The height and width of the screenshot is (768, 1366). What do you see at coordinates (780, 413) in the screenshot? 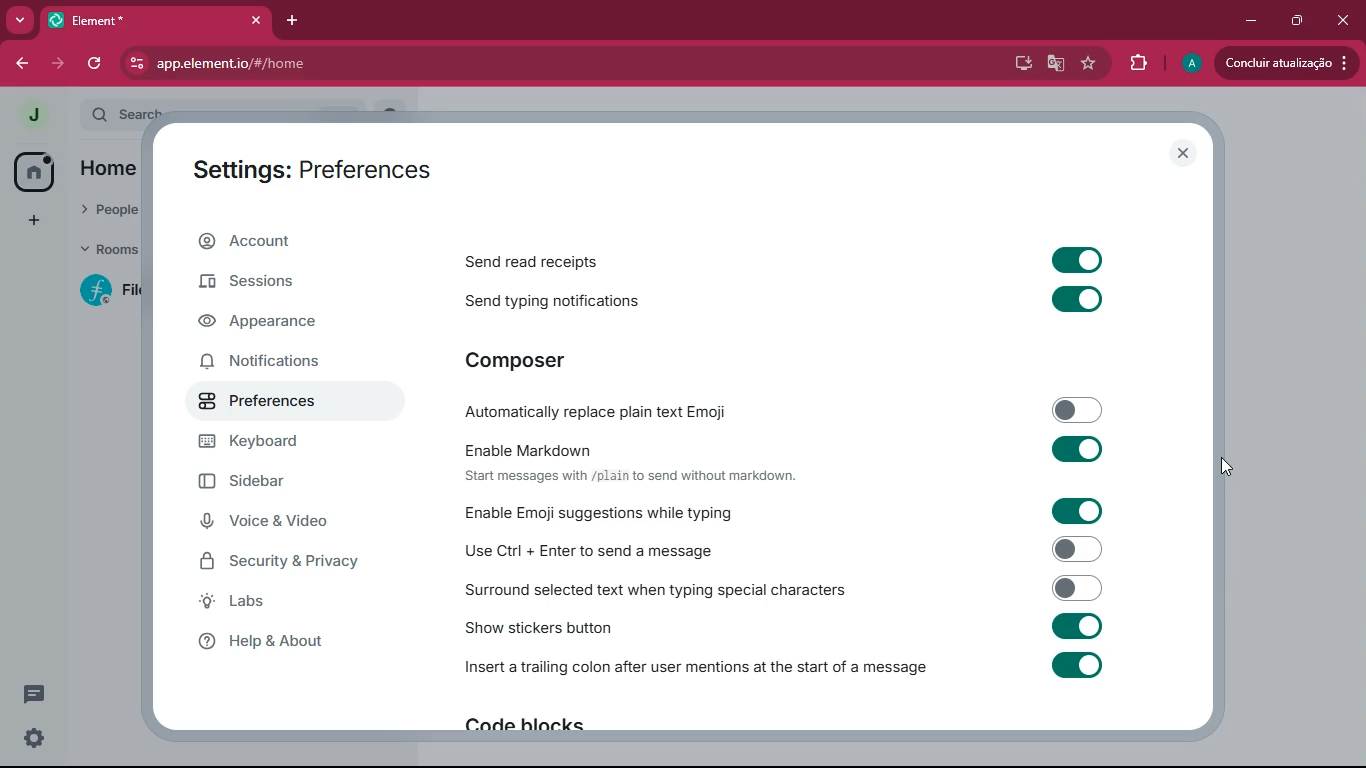
I see `-Automatically replace plain text Emoji` at bounding box center [780, 413].